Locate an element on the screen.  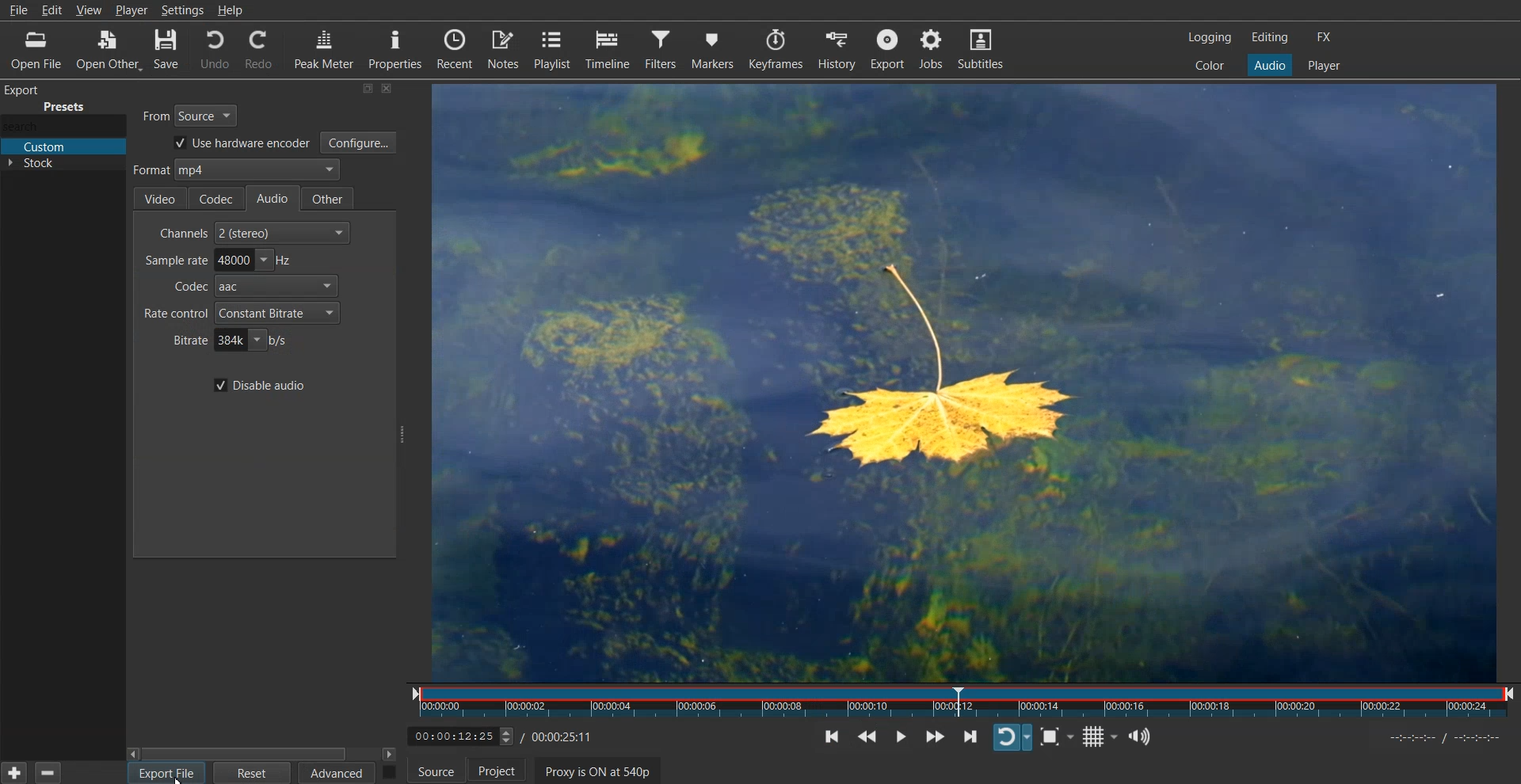
Export File is located at coordinates (166, 773).